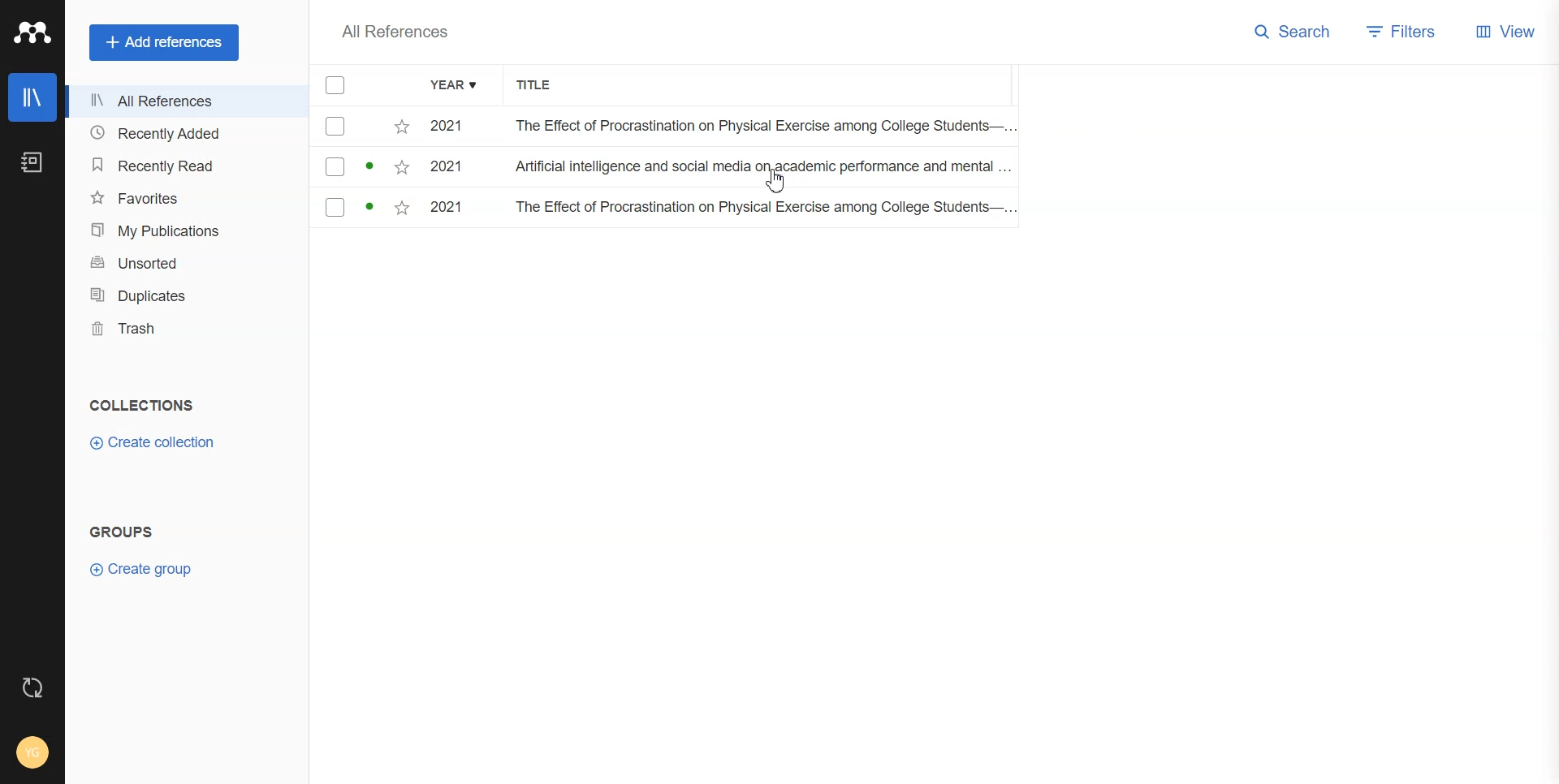 Image resolution: width=1559 pixels, height=784 pixels. Describe the element at coordinates (32, 752) in the screenshot. I see `Account` at that location.